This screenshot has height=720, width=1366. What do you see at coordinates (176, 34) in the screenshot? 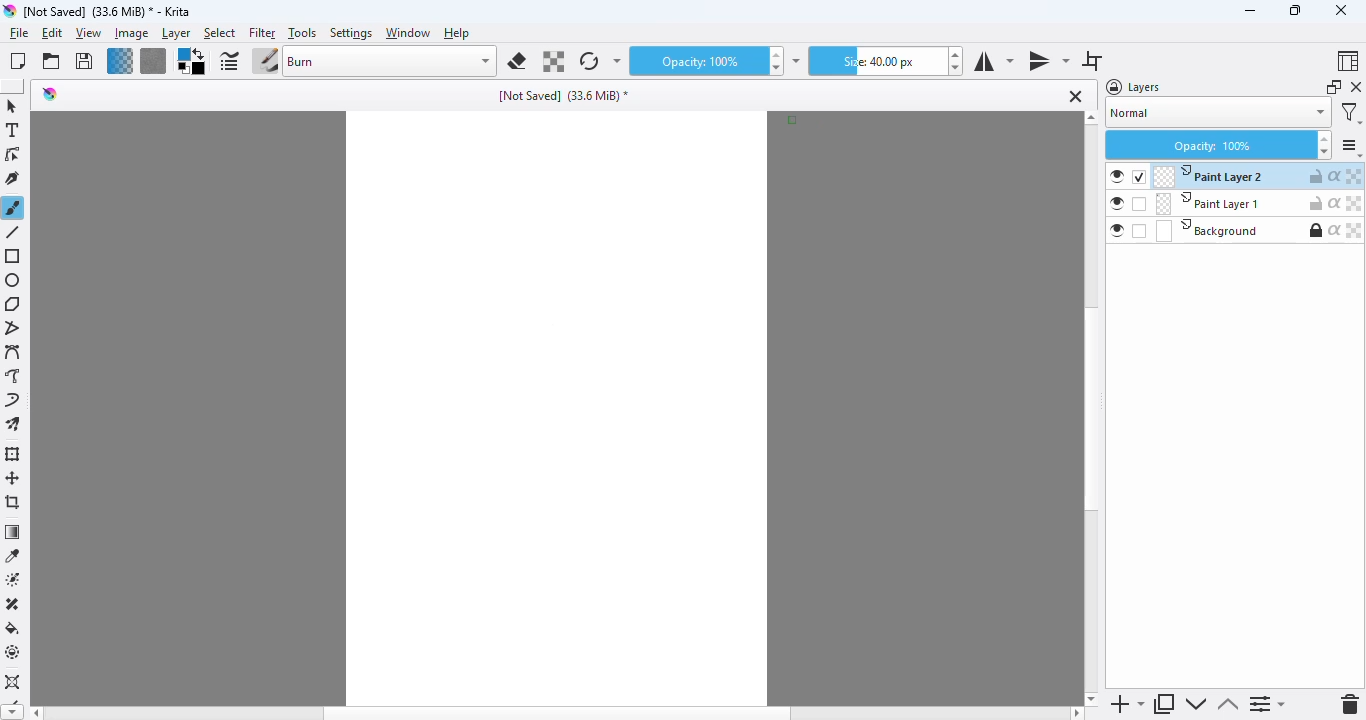
I see `layer` at bounding box center [176, 34].